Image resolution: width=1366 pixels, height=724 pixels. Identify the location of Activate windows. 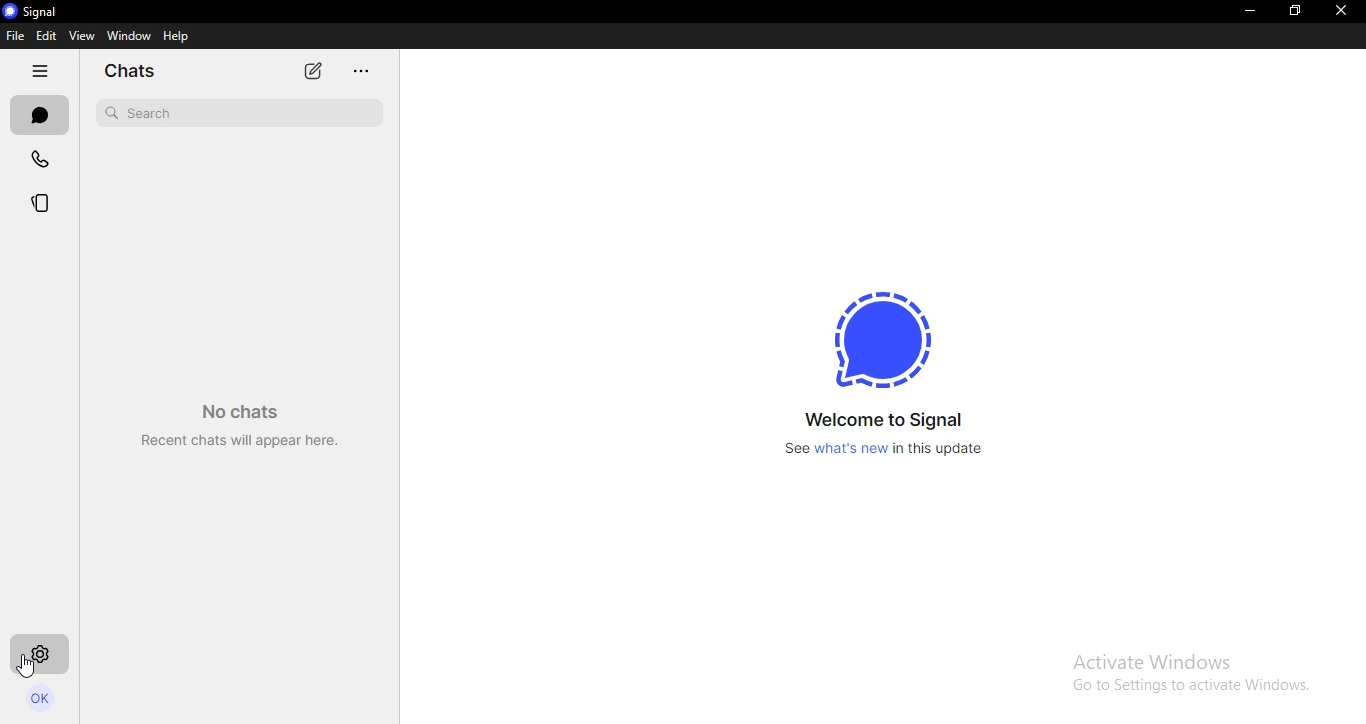
(1184, 669).